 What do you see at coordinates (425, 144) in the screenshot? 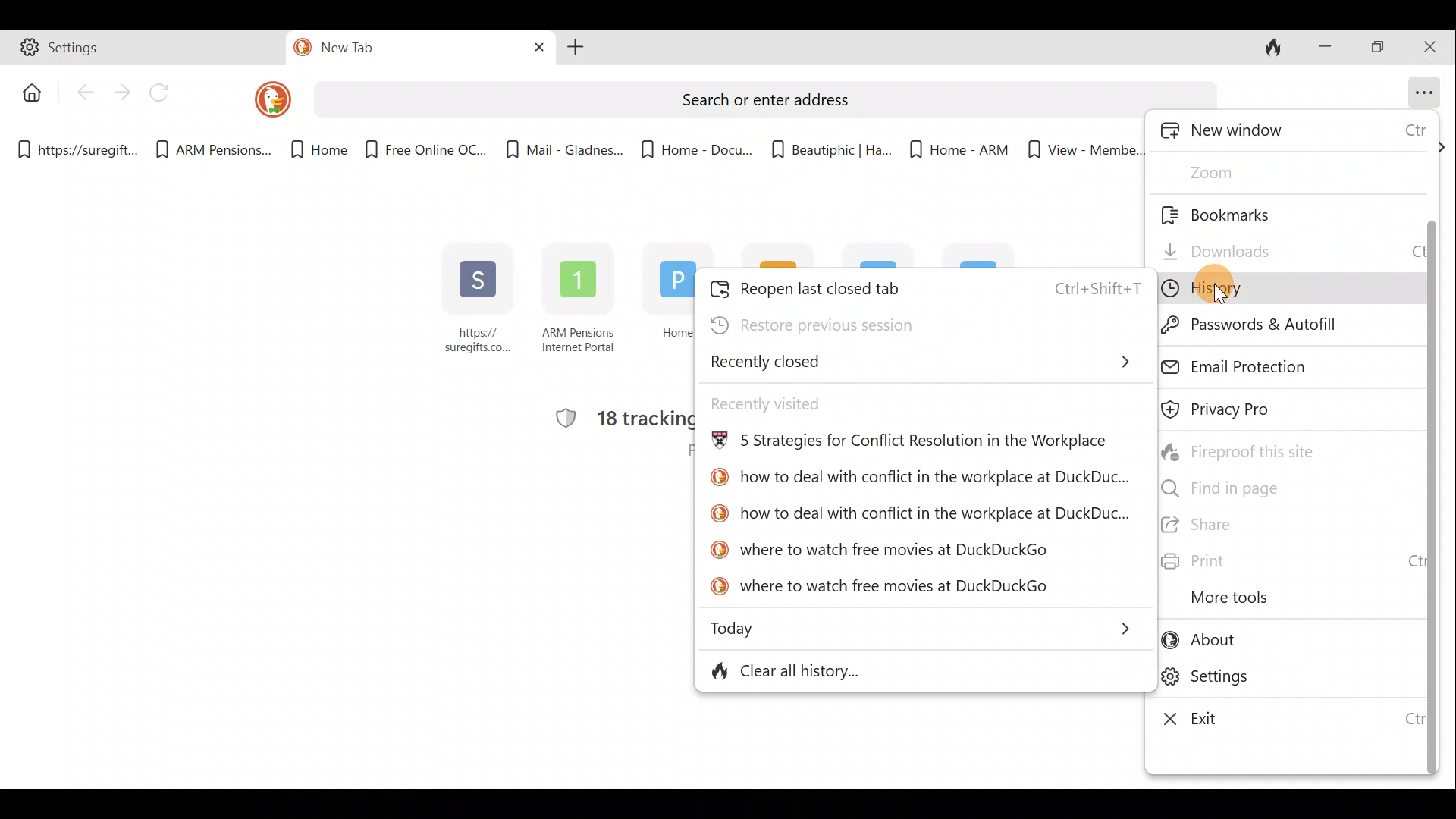
I see `Free Online OC...` at bounding box center [425, 144].